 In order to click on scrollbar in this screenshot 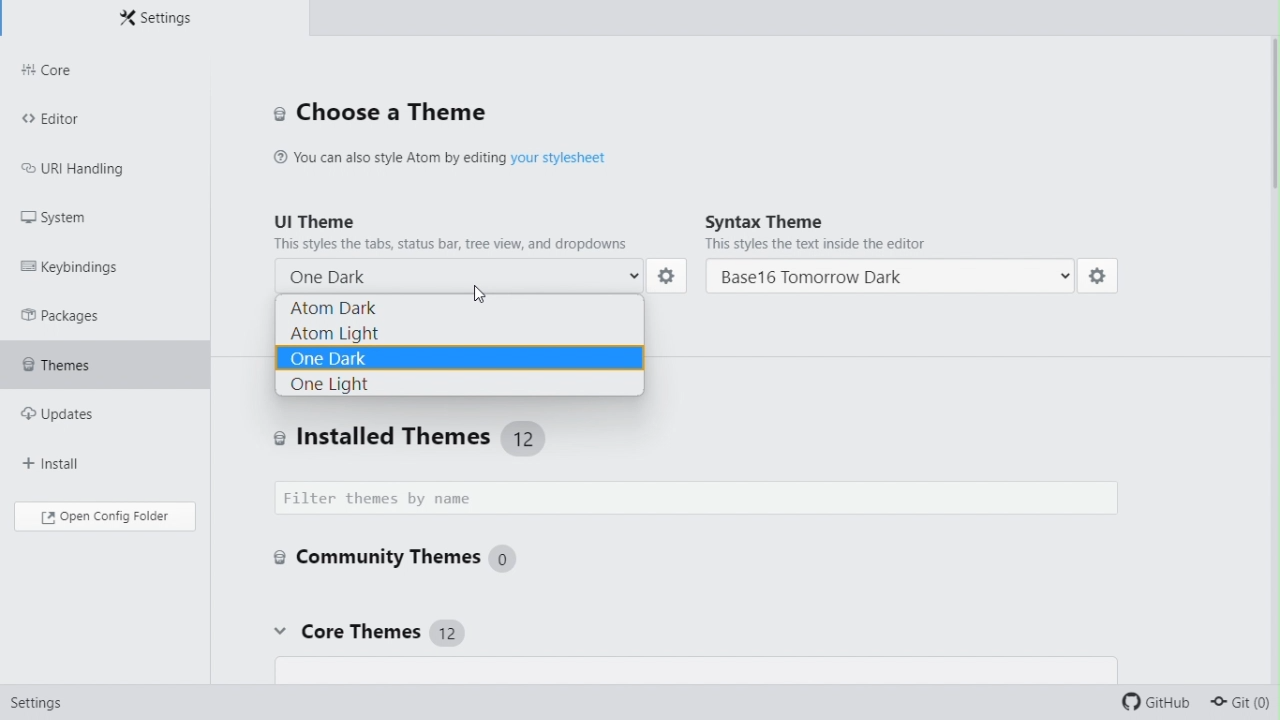, I will do `click(1271, 142)`.